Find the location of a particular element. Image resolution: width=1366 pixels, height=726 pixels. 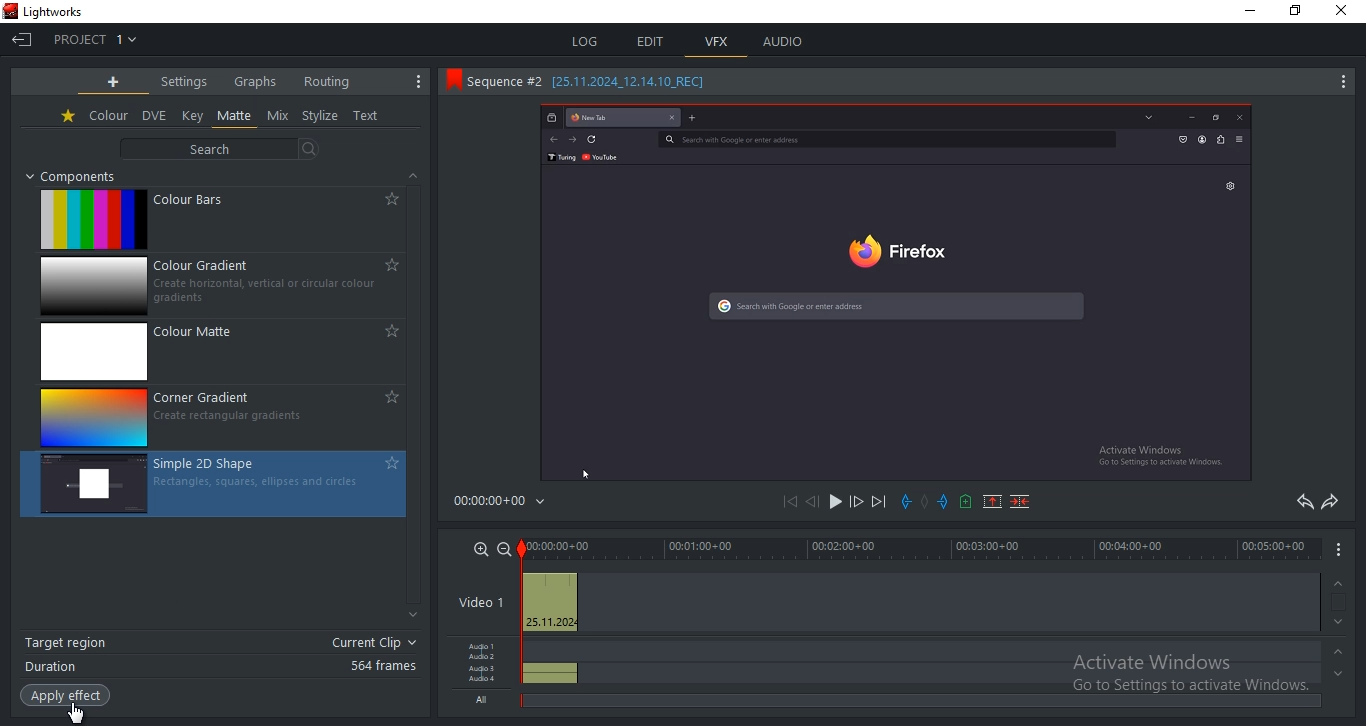

audio is located at coordinates (483, 673).